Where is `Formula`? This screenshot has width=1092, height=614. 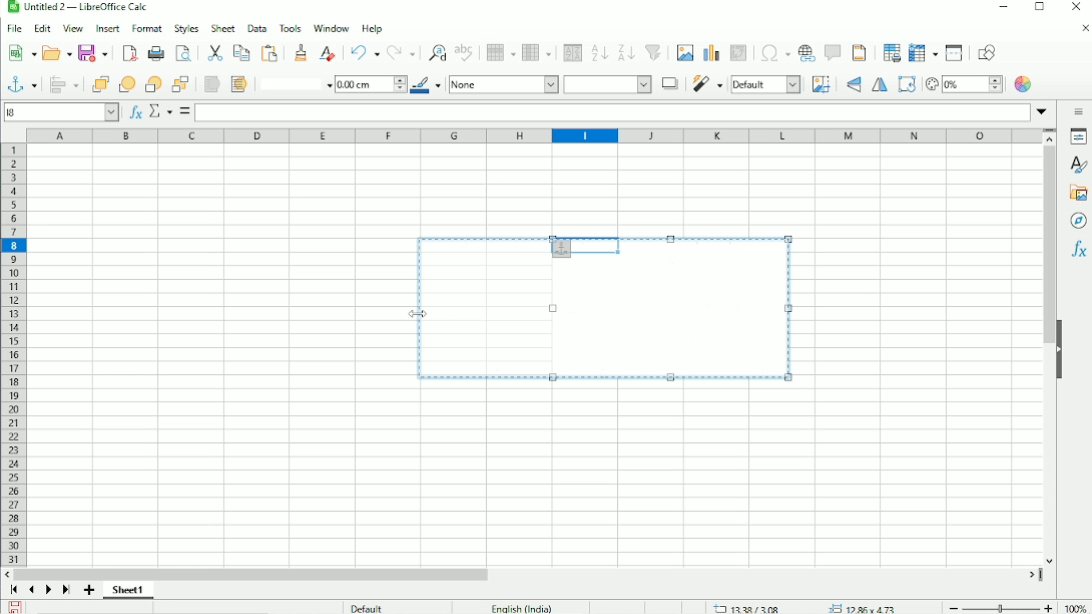 Formula is located at coordinates (185, 112).